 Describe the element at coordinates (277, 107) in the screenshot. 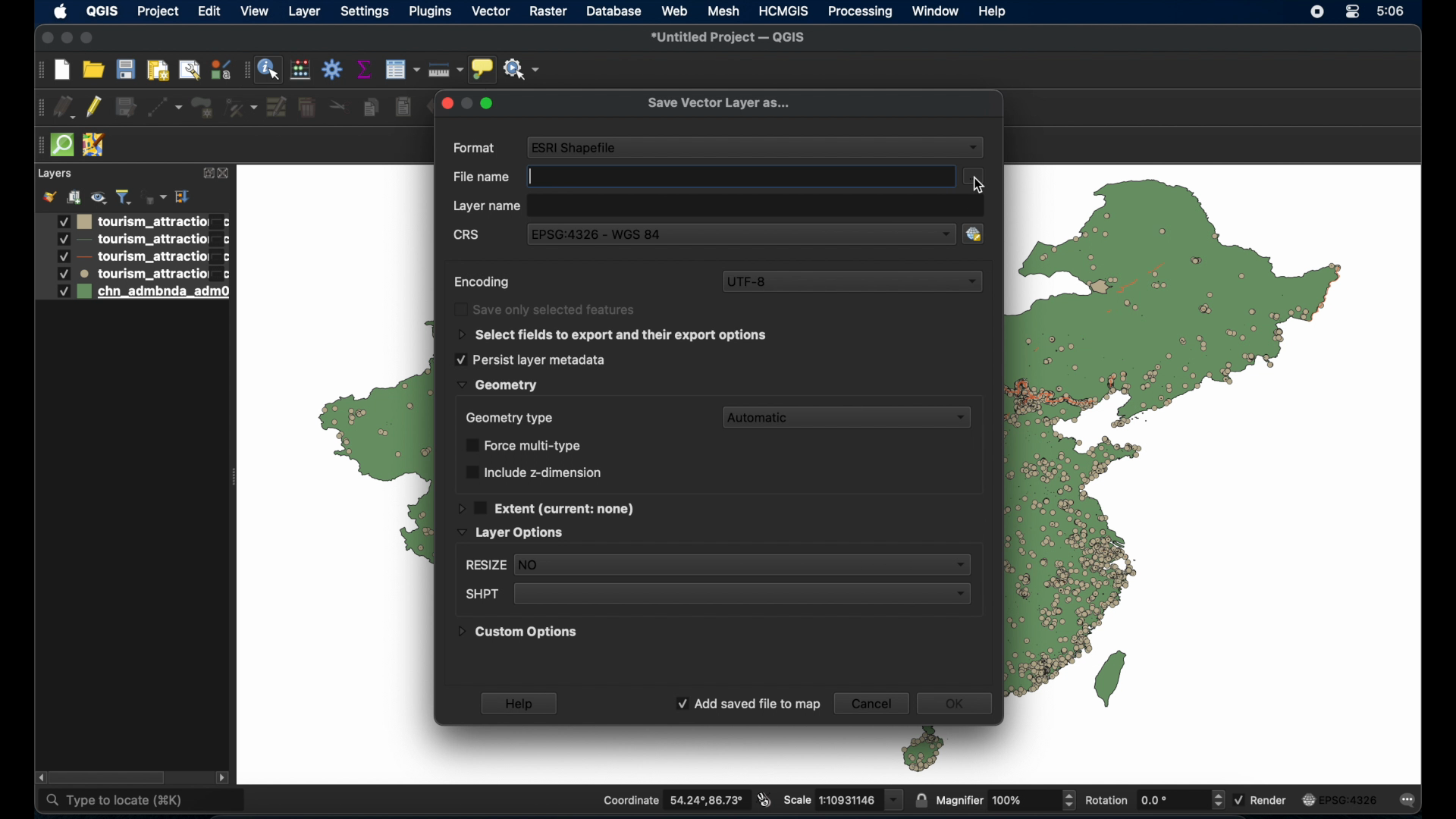

I see `modify attributes` at that location.